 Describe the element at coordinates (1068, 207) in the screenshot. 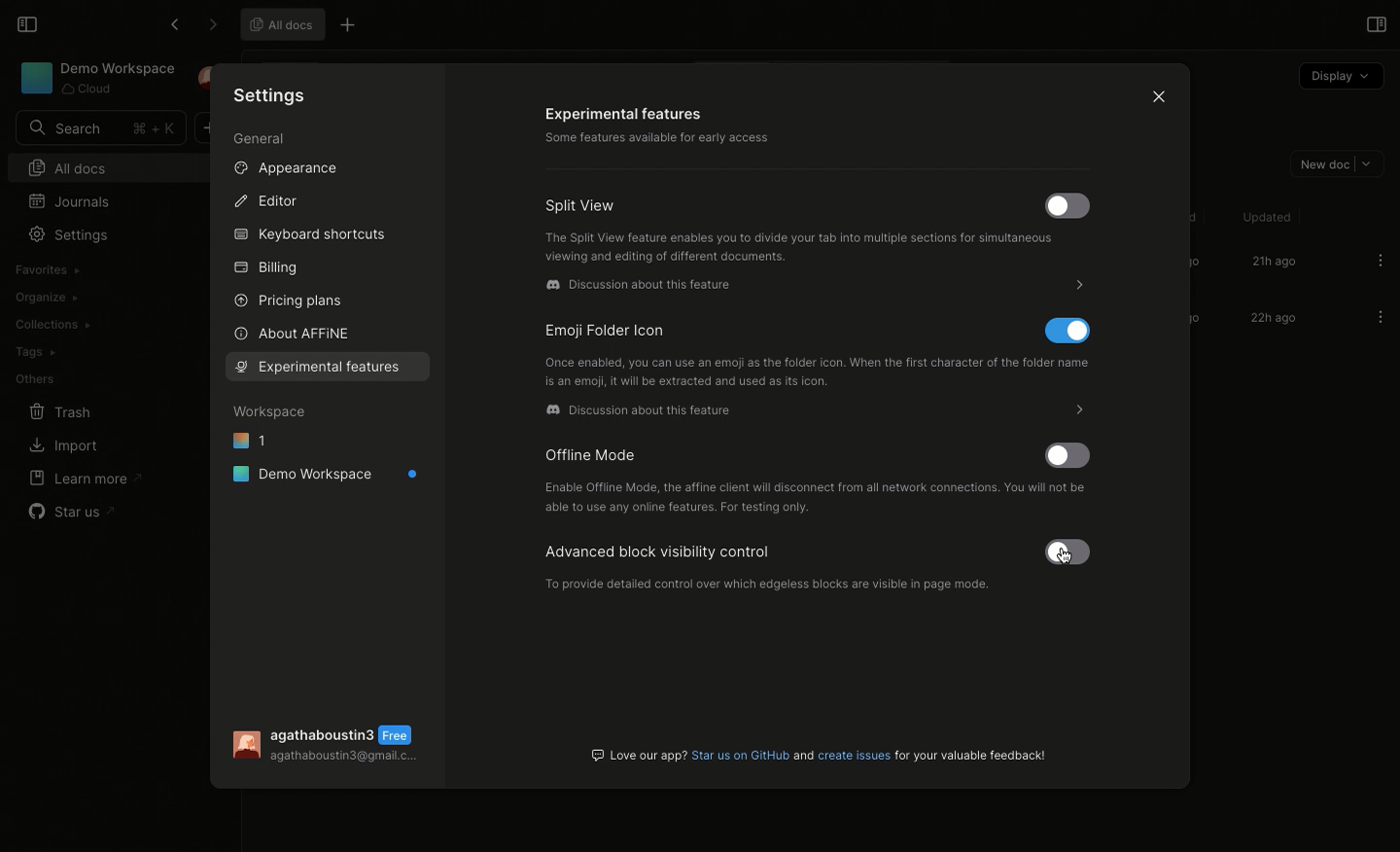

I see `Activate` at that location.